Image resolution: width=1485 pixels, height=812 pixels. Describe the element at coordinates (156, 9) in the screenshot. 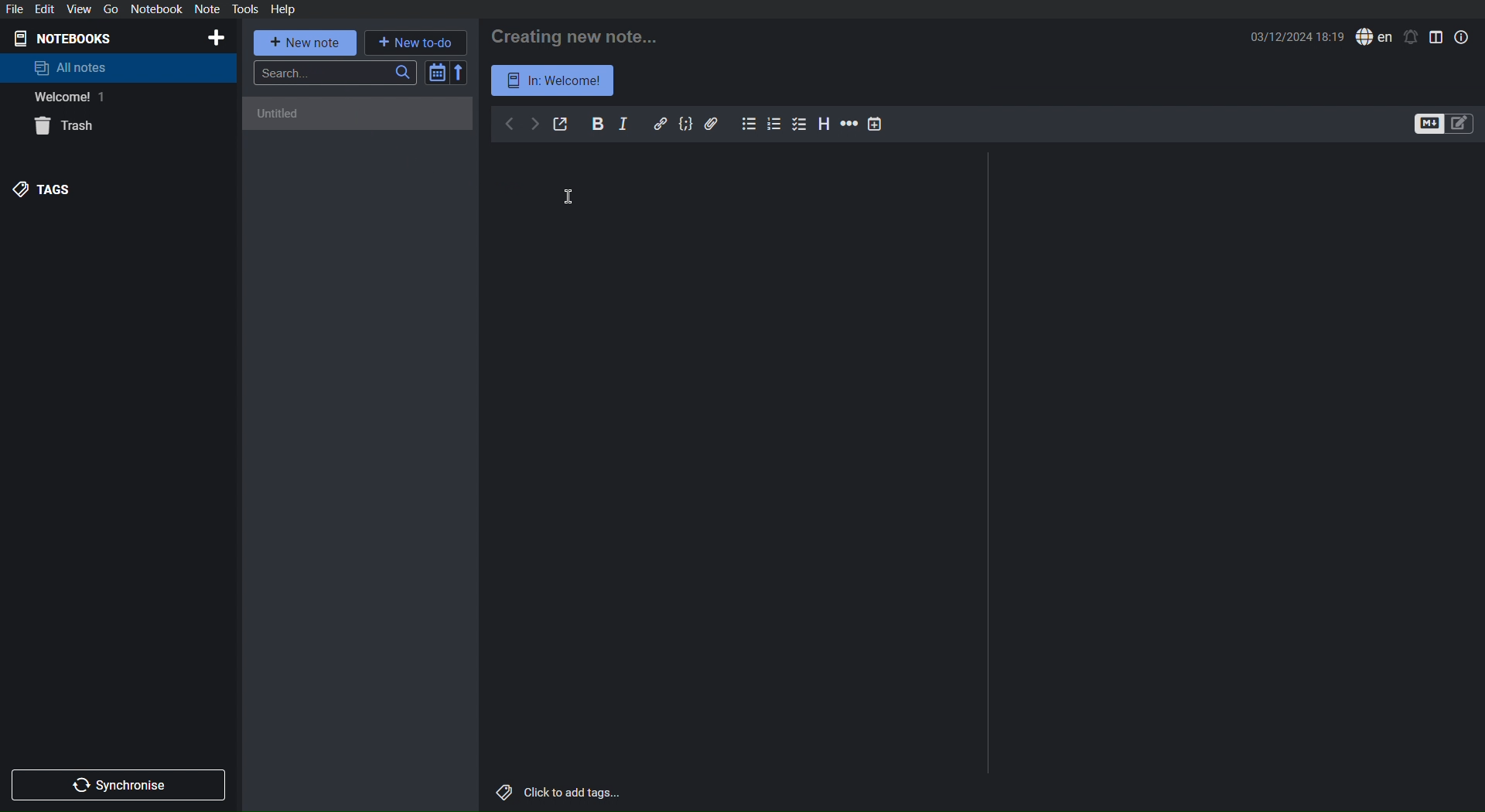

I see `Notebook` at that location.